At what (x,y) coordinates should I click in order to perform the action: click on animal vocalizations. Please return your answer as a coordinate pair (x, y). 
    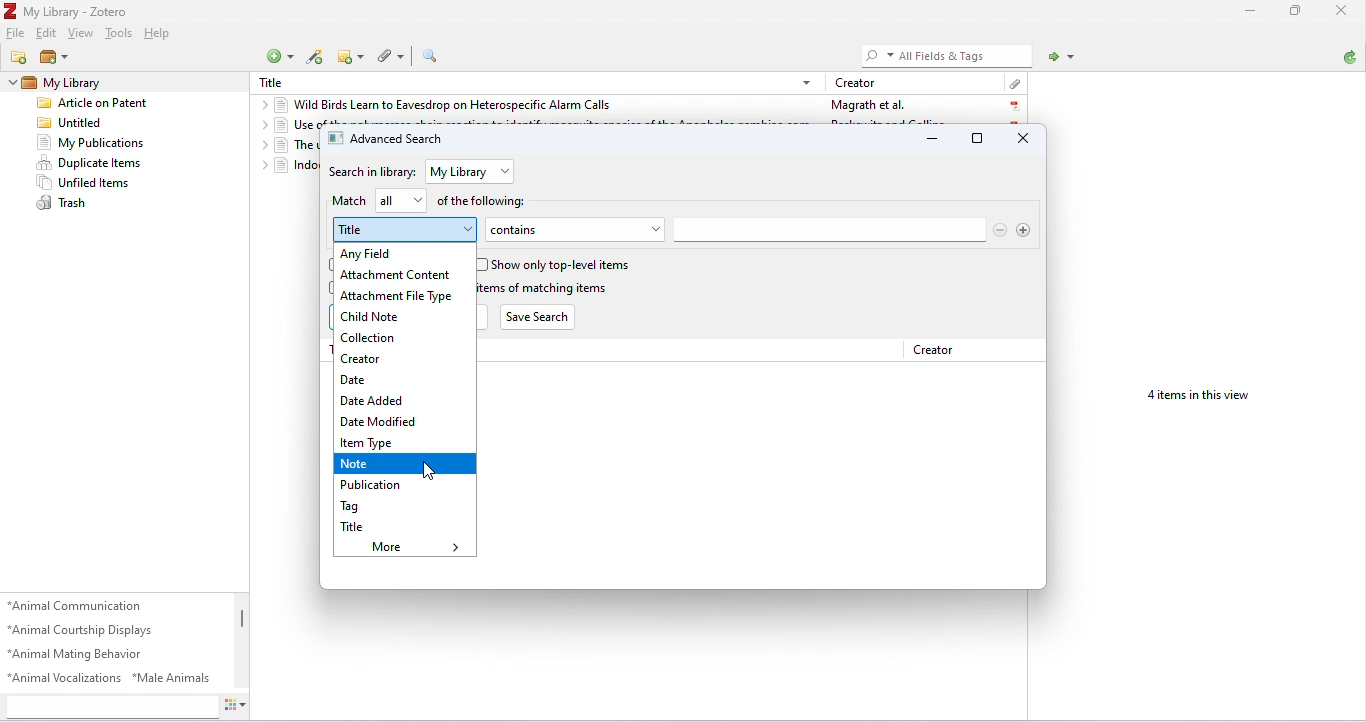
    Looking at the image, I should click on (65, 677).